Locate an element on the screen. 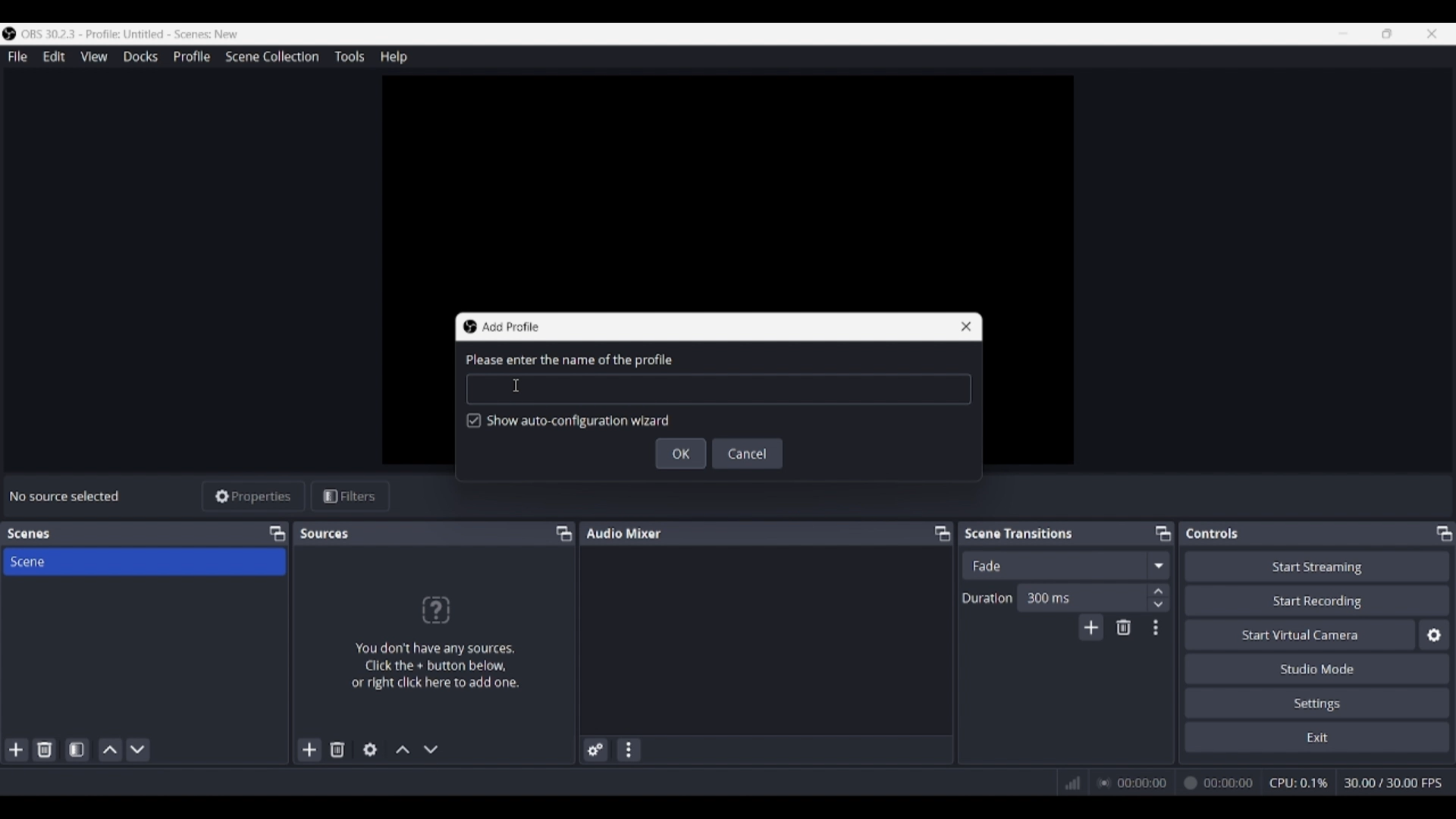 This screenshot has width=1456, height=819. Float scenes is located at coordinates (277, 534).